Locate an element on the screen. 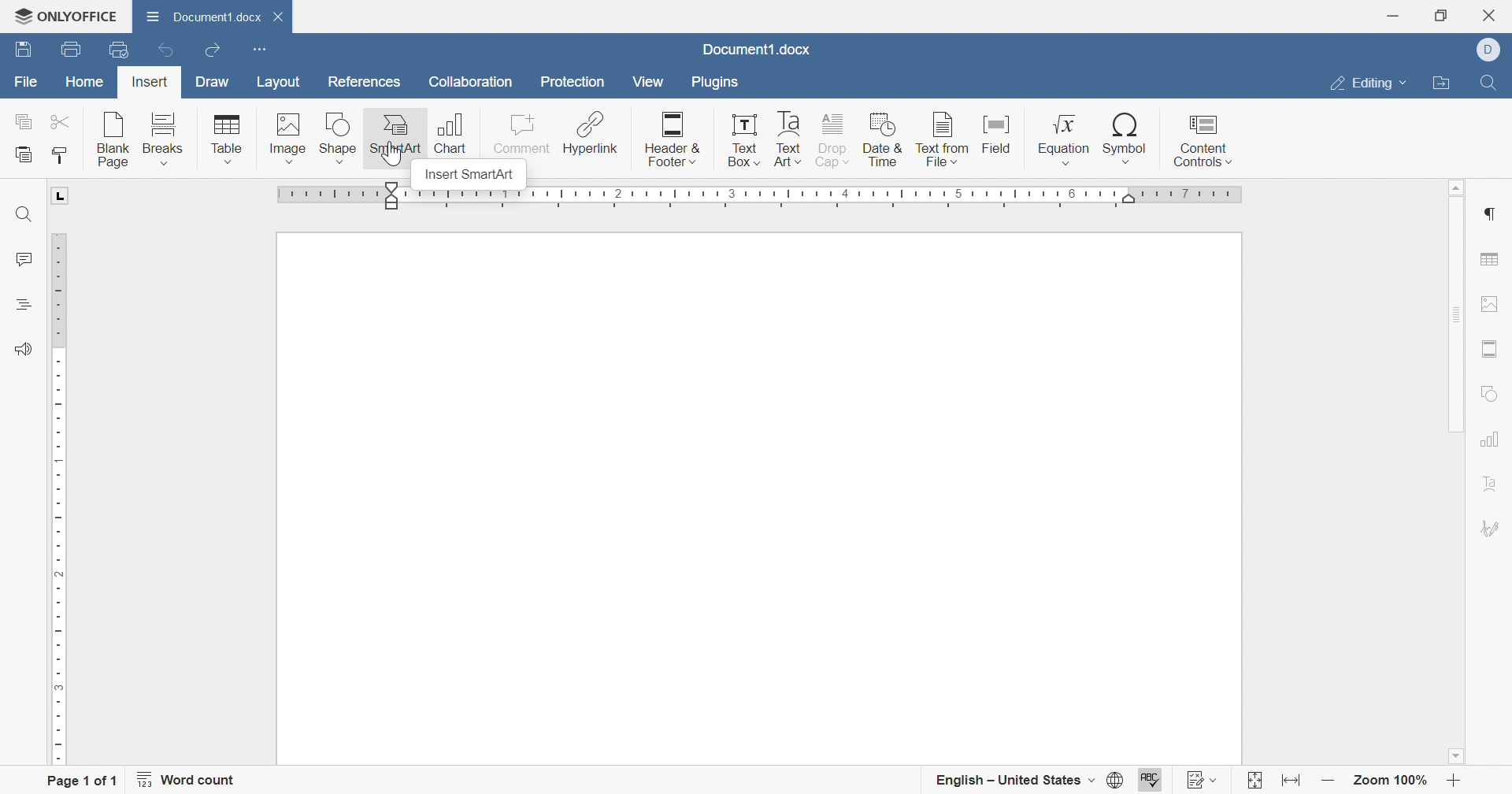 The height and width of the screenshot is (794, 1512). Document1.docx is located at coordinates (754, 49).